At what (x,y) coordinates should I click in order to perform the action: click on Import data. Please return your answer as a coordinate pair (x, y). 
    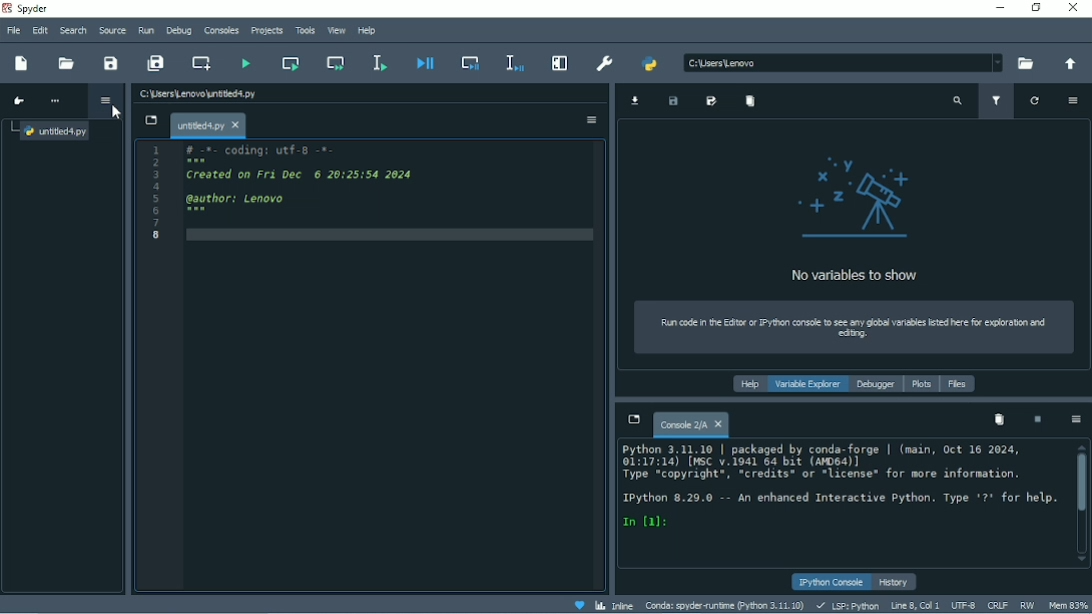
    Looking at the image, I should click on (635, 103).